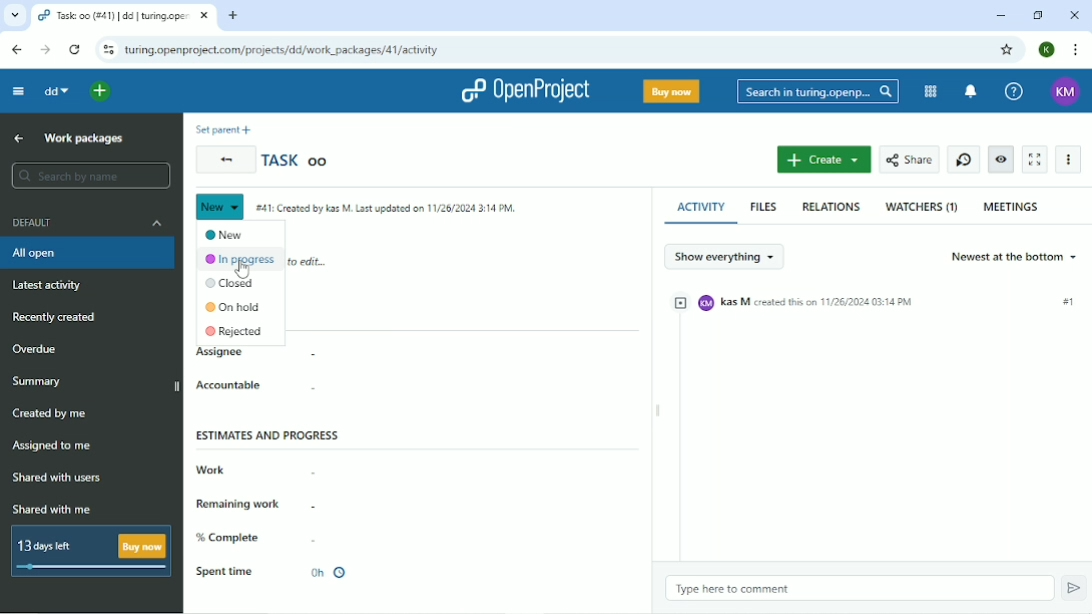  What do you see at coordinates (108, 50) in the screenshot?
I see `View site information` at bounding box center [108, 50].